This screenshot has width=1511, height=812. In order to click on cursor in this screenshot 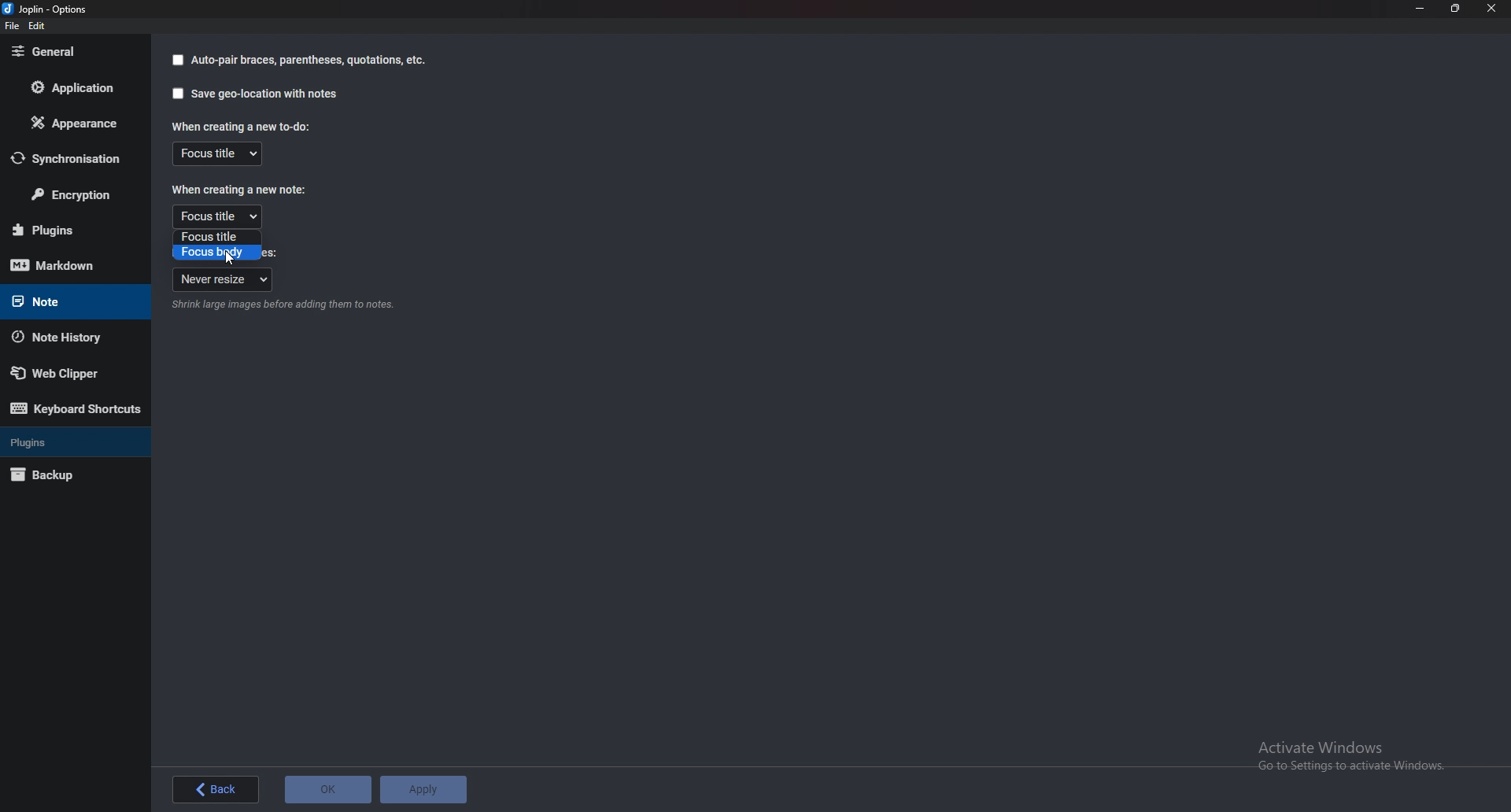, I will do `click(231, 259)`.